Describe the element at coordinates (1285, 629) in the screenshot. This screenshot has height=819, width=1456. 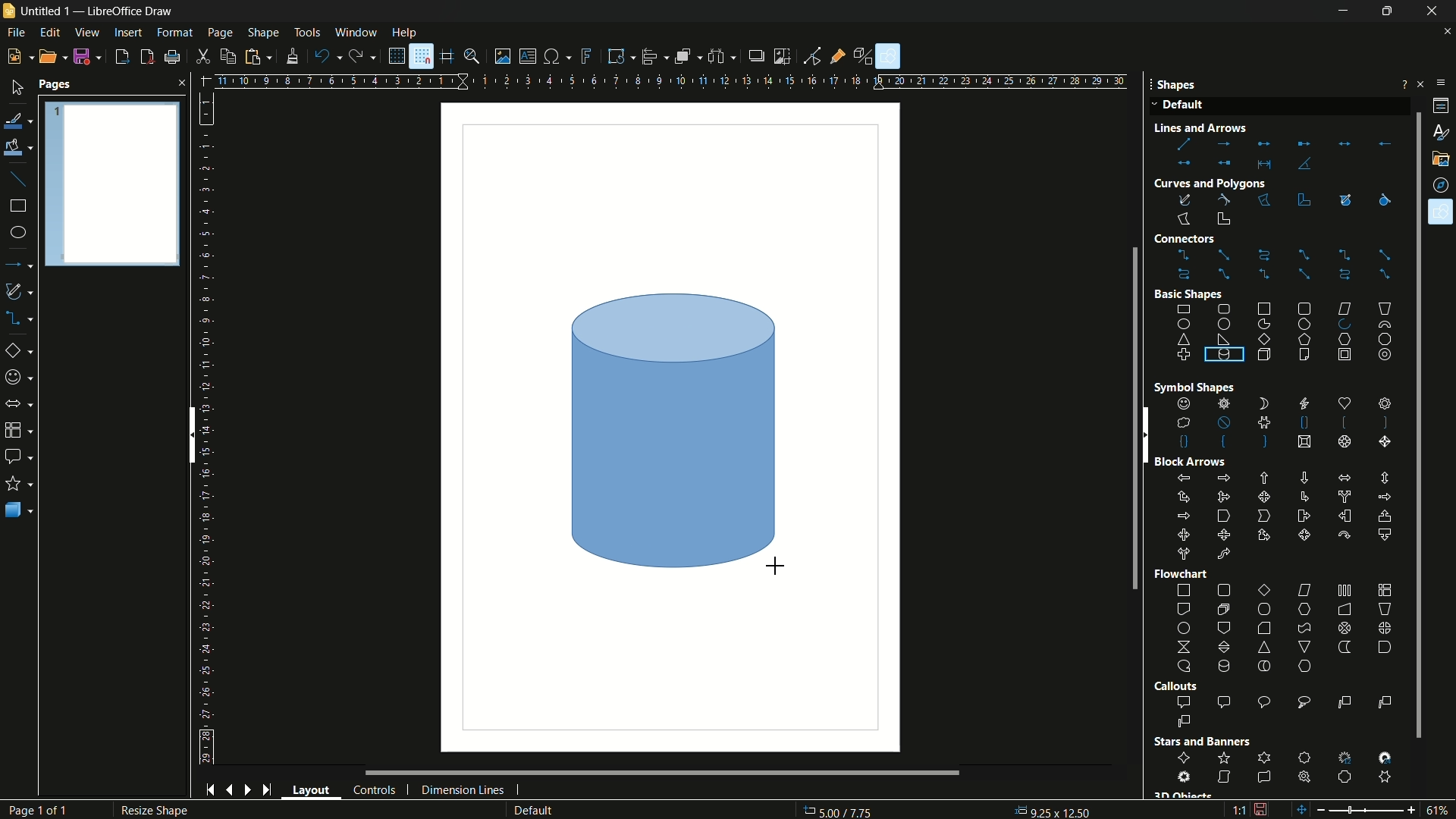
I see `flowchart` at that location.